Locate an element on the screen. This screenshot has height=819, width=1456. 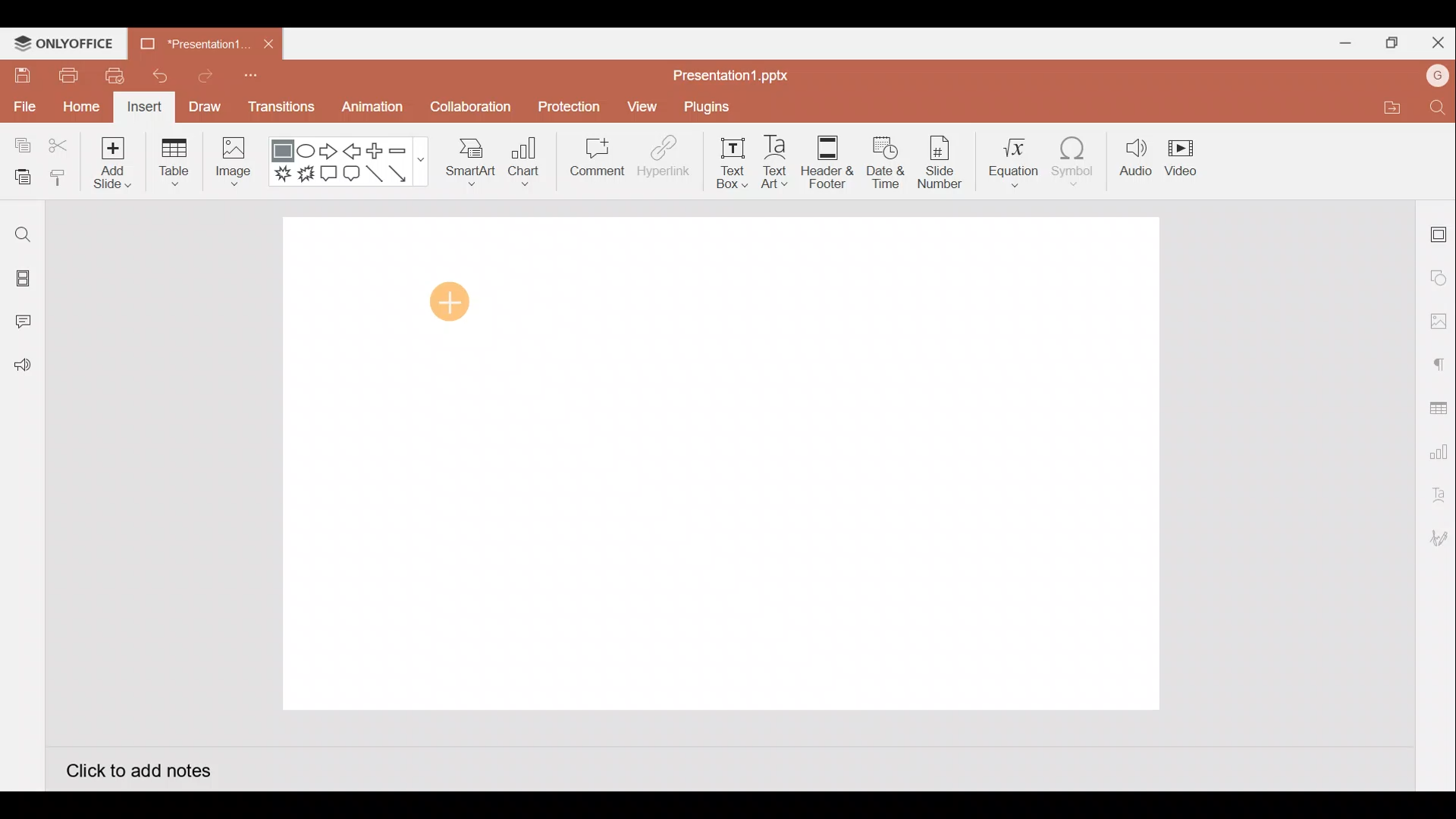
Cursor on presentation slide is located at coordinates (459, 306).